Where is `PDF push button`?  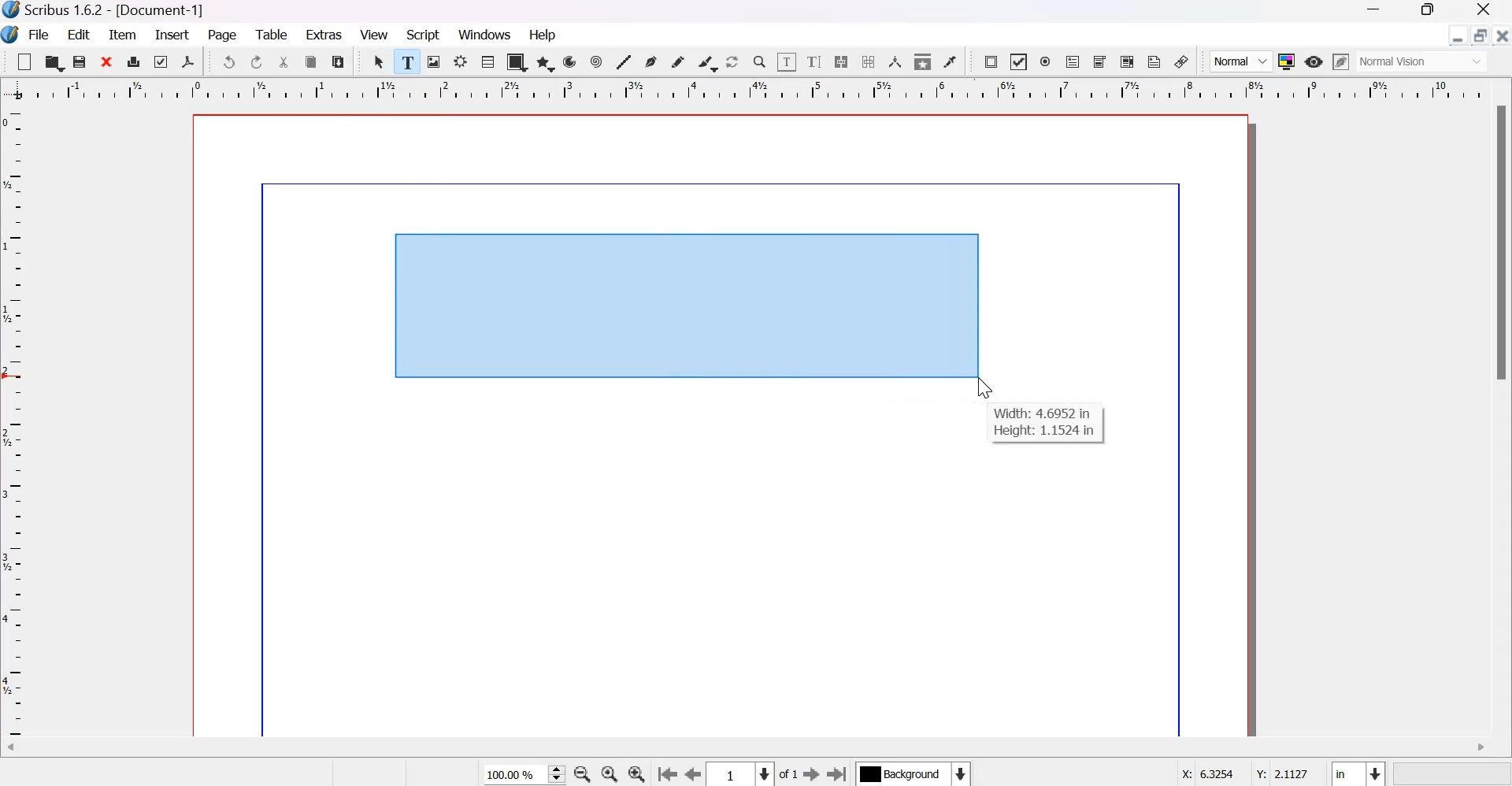 PDF push button is located at coordinates (991, 62).